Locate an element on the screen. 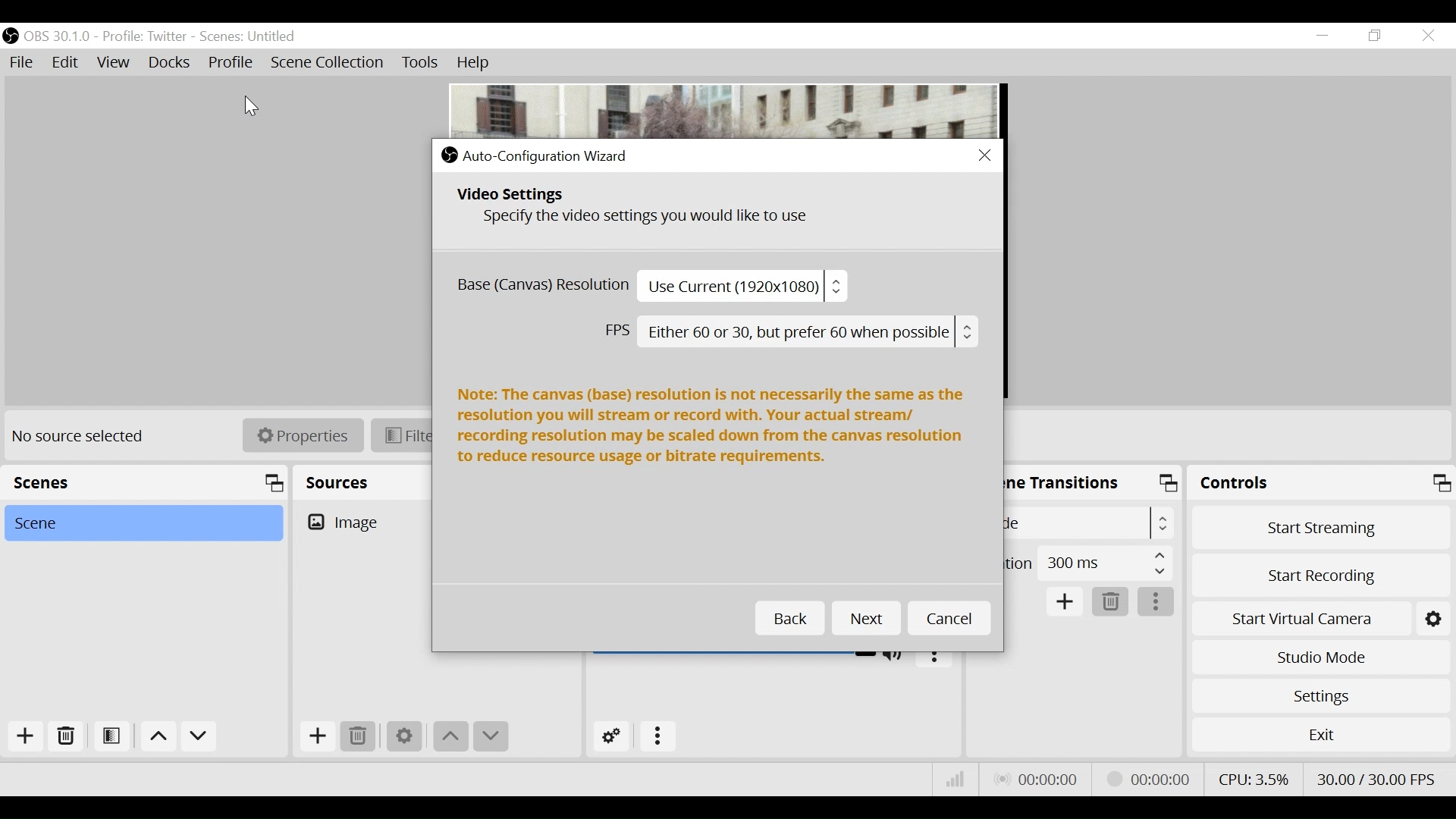 This screenshot has height=819, width=1456. Transitions is located at coordinates (1064, 481).